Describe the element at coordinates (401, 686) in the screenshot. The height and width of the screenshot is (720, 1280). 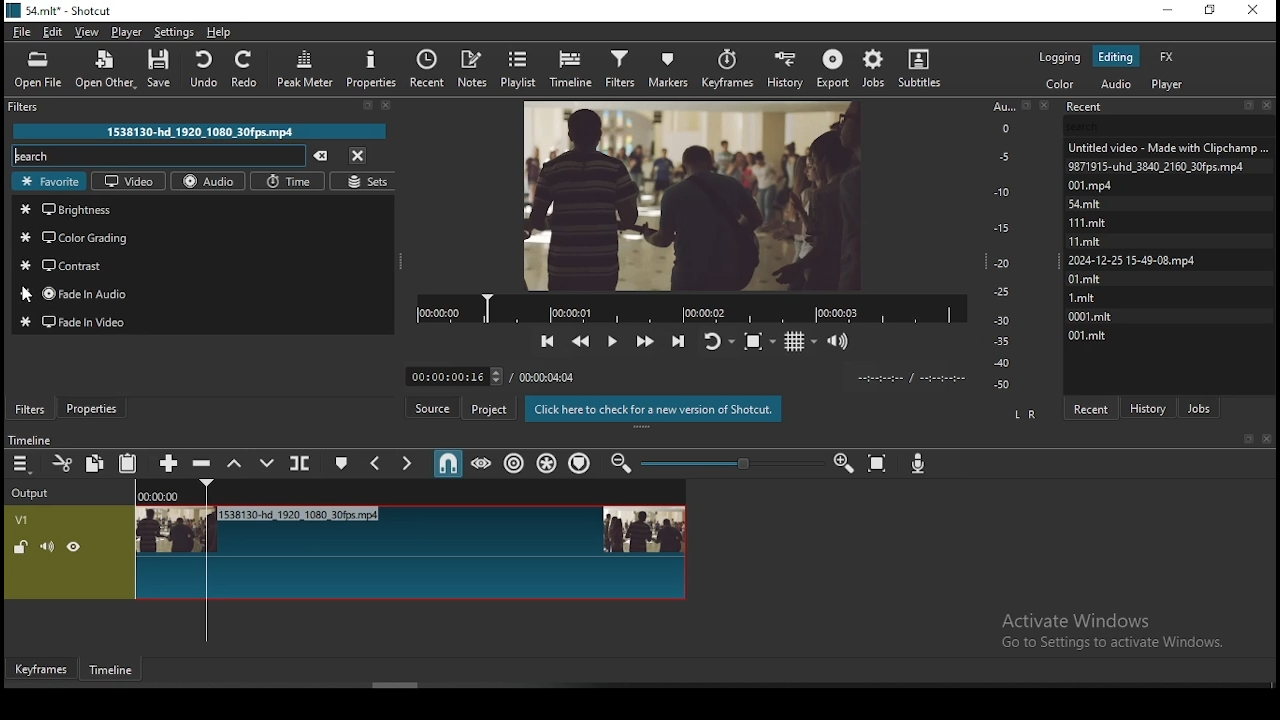
I see `scroll bar` at that location.